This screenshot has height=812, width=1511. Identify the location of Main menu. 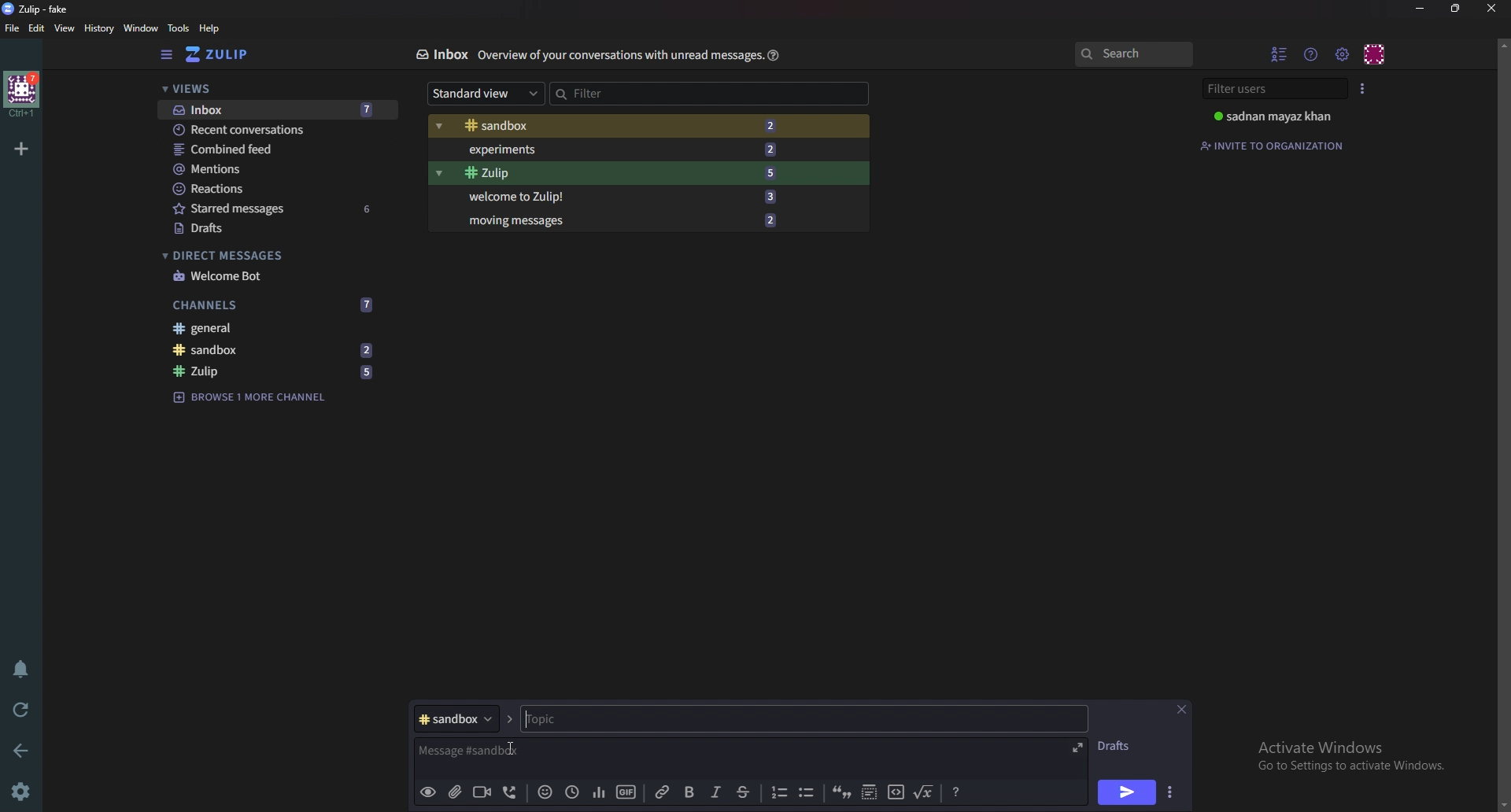
(1342, 55).